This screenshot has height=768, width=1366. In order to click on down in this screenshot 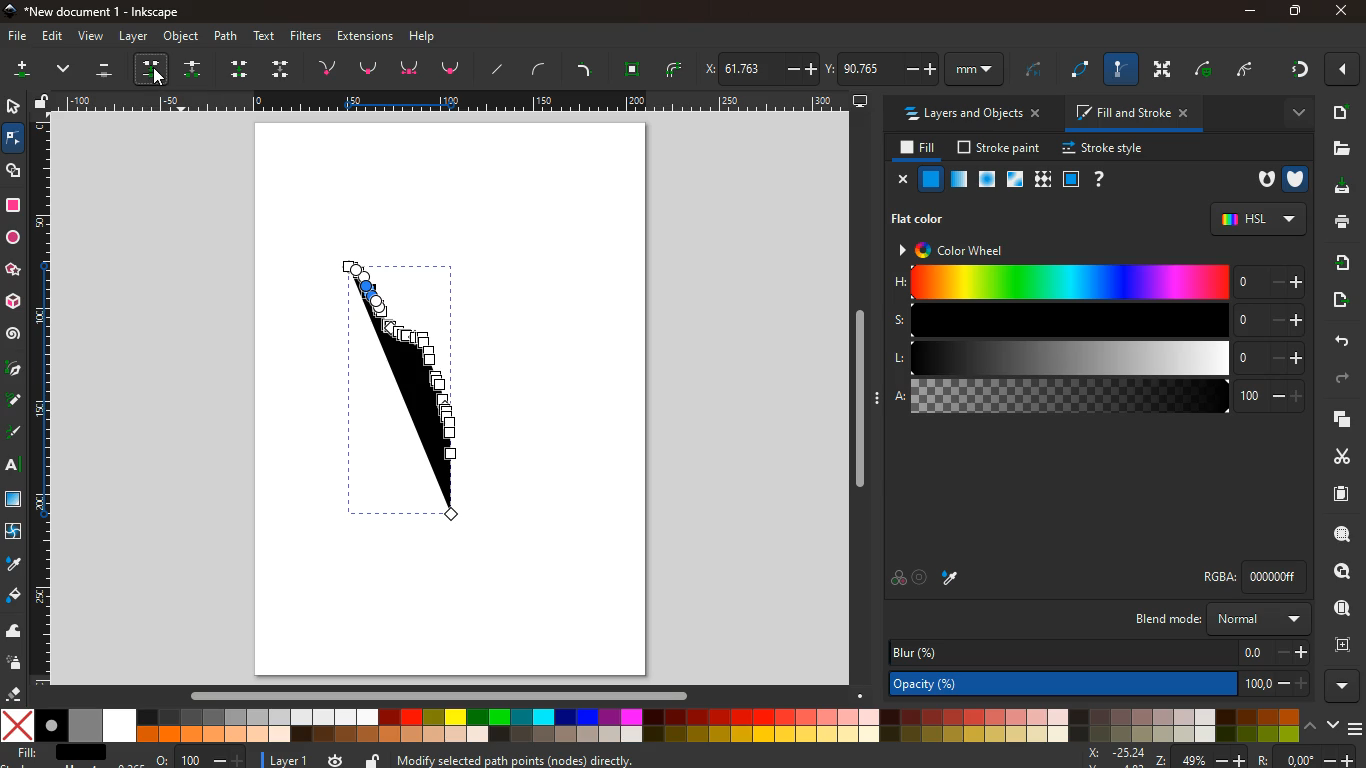, I will do `click(66, 71)`.